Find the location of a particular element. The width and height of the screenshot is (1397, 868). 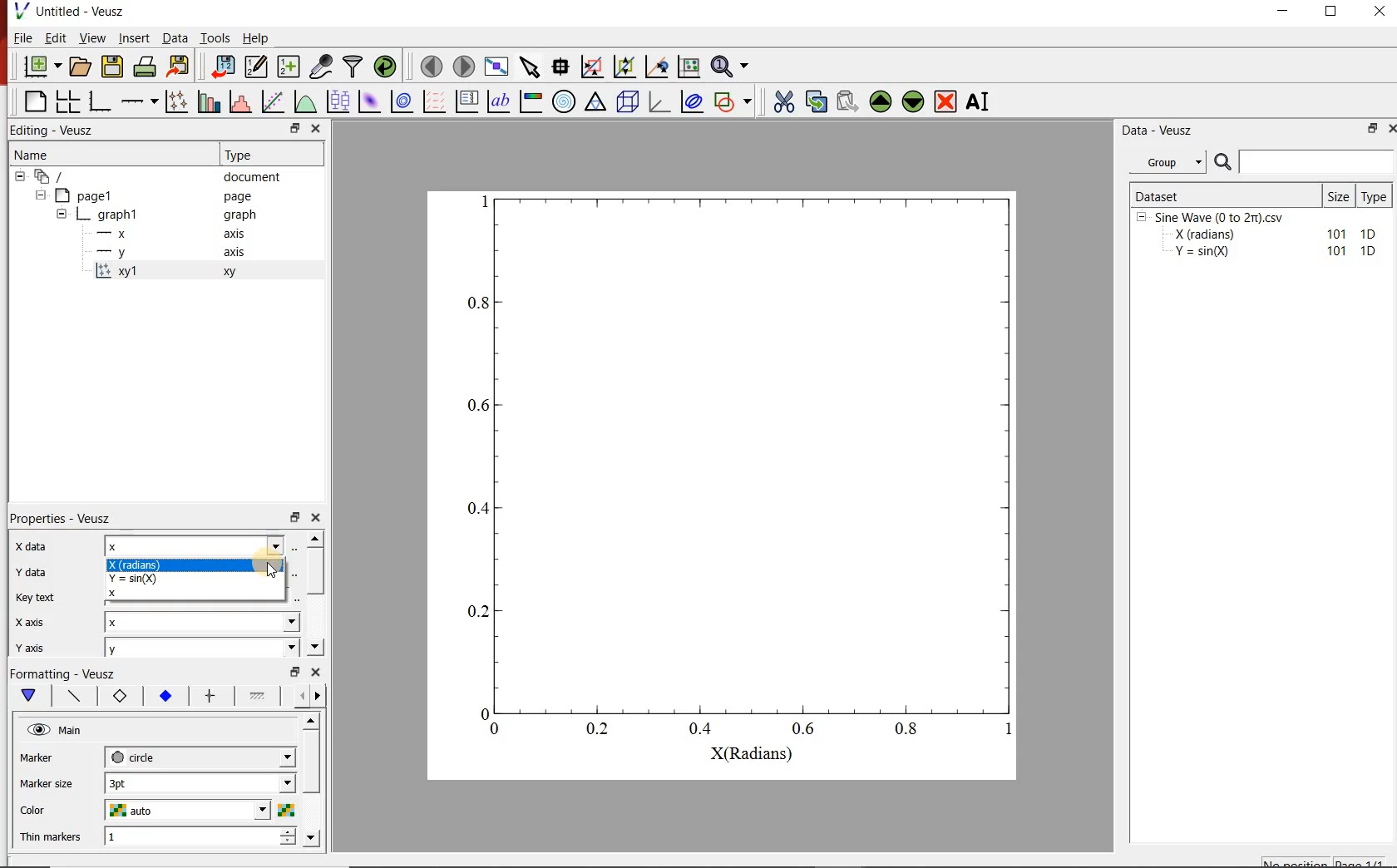

edit and enter new datasets is located at coordinates (257, 67).